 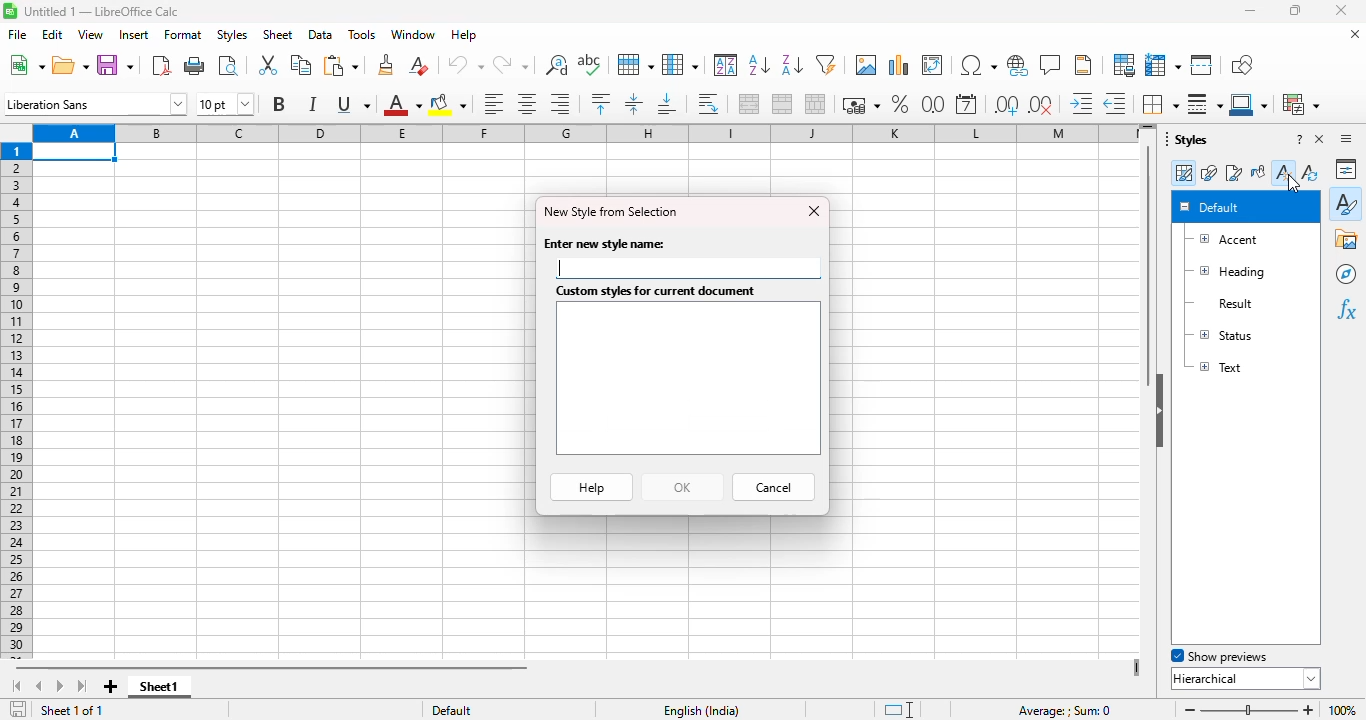 What do you see at coordinates (231, 35) in the screenshot?
I see `styles` at bounding box center [231, 35].